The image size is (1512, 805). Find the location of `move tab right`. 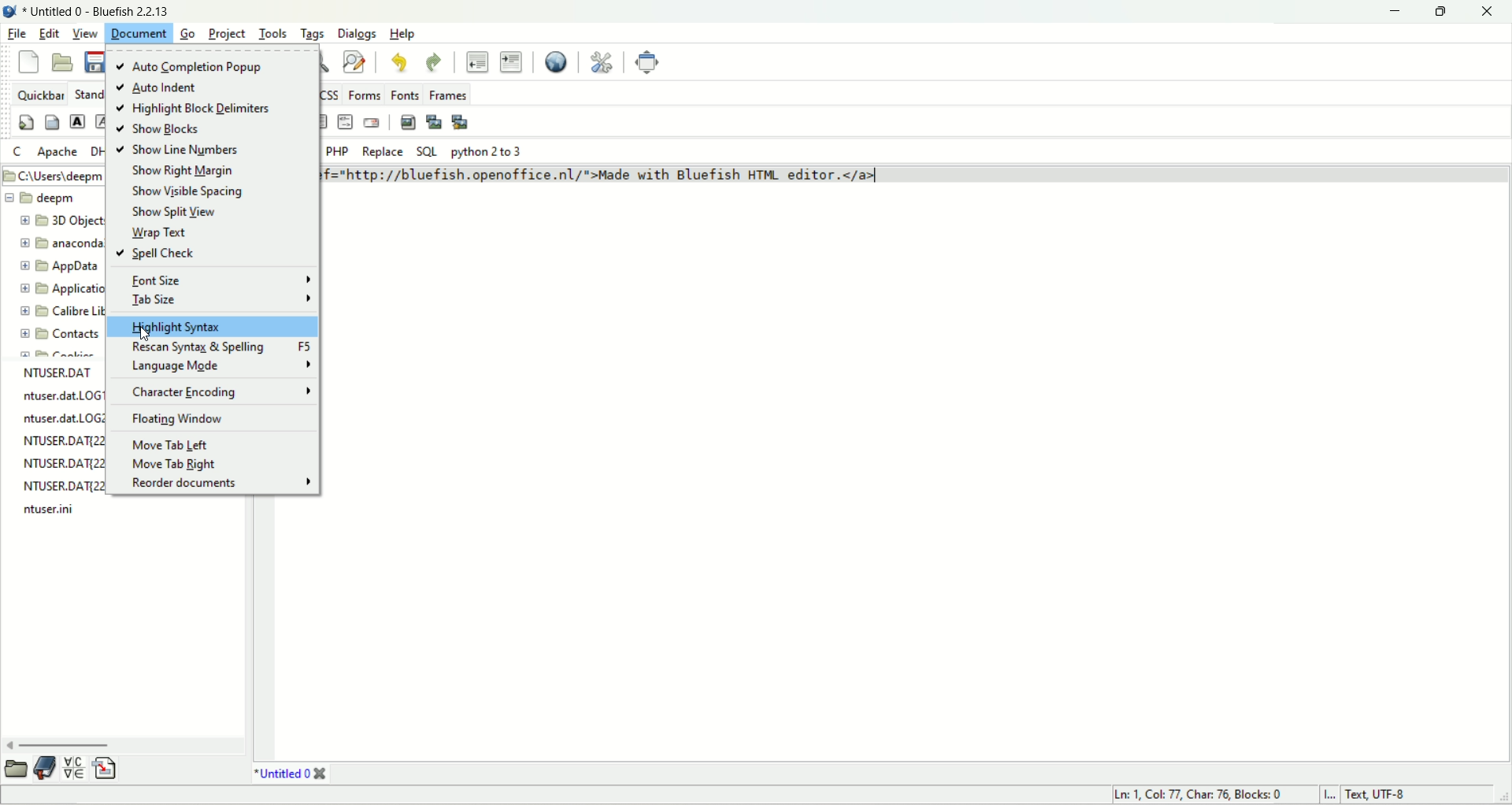

move tab right is located at coordinates (173, 465).